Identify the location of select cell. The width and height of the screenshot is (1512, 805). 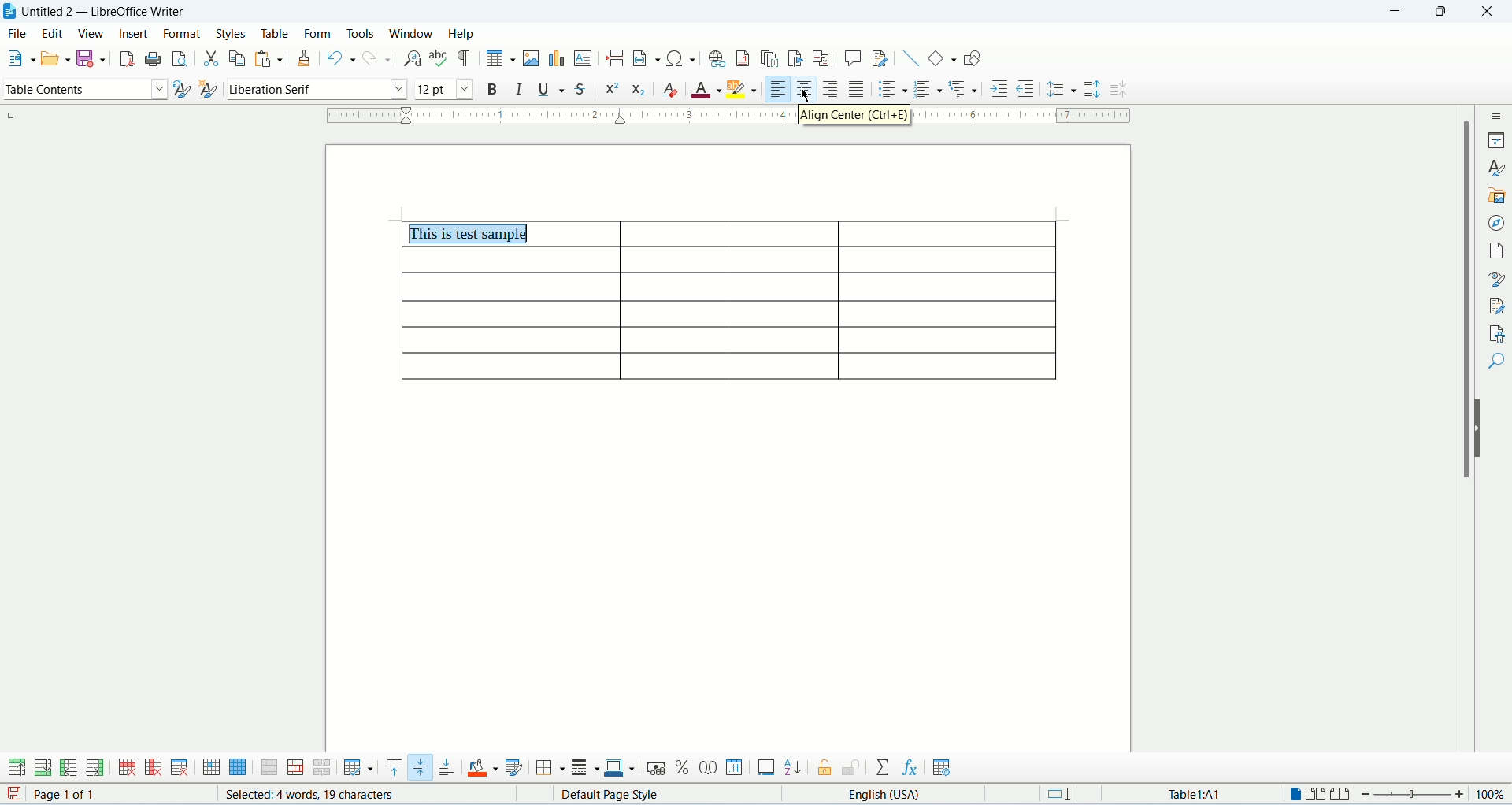
(211, 769).